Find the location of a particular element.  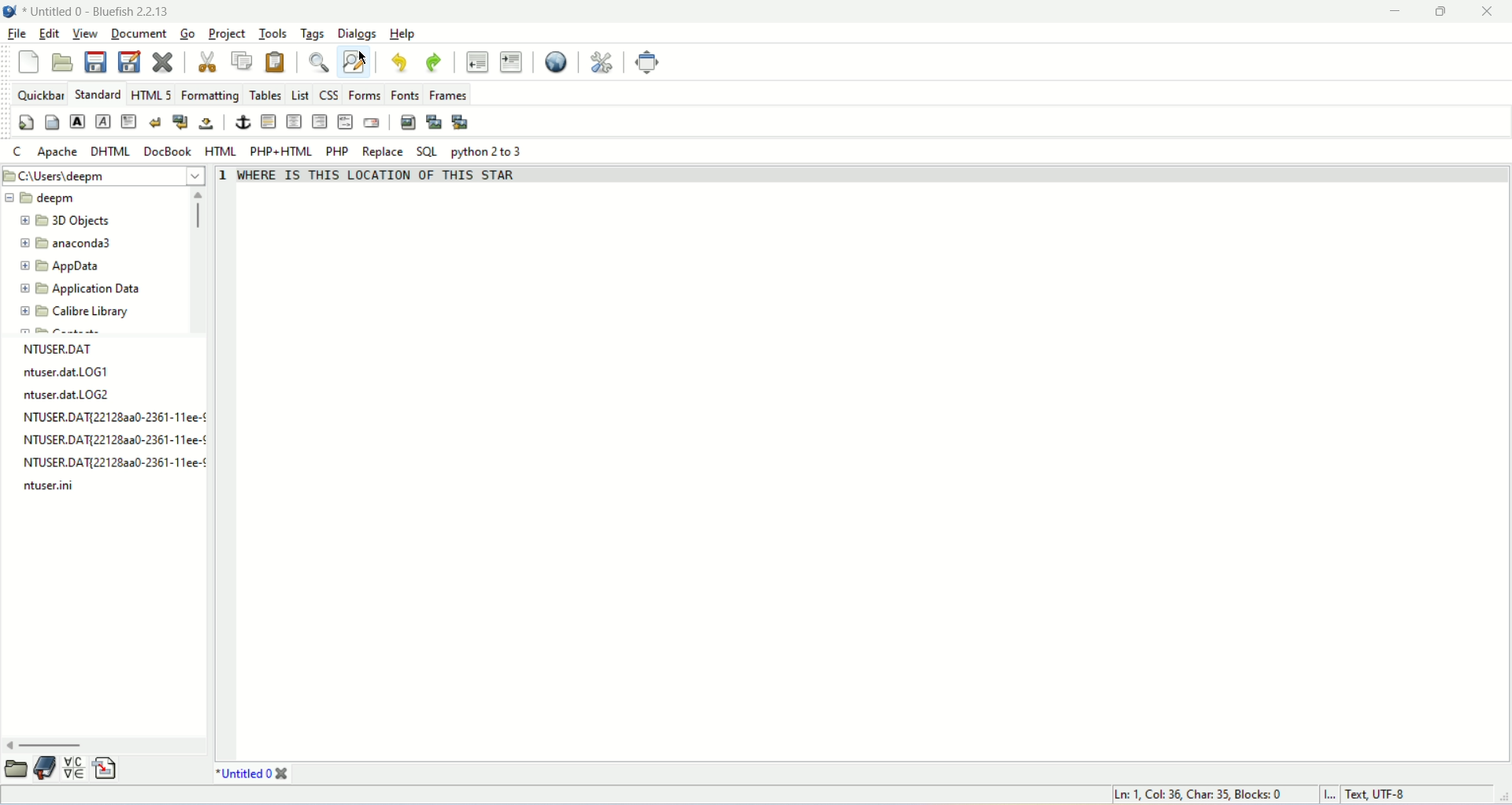

Calibre library is located at coordinates (75, 310).